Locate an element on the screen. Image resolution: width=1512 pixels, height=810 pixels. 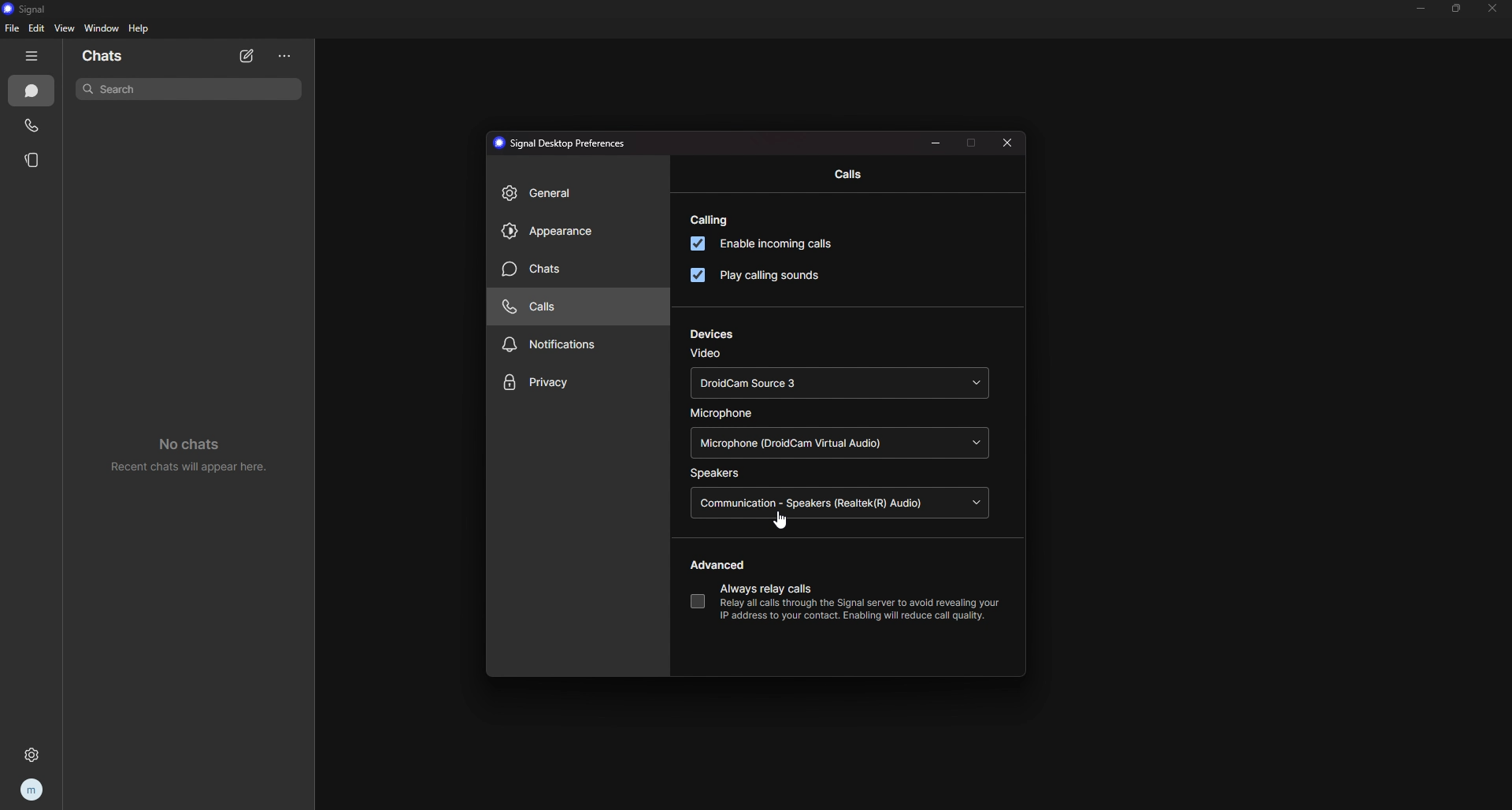
new chat is located at coordinates (248, 58).